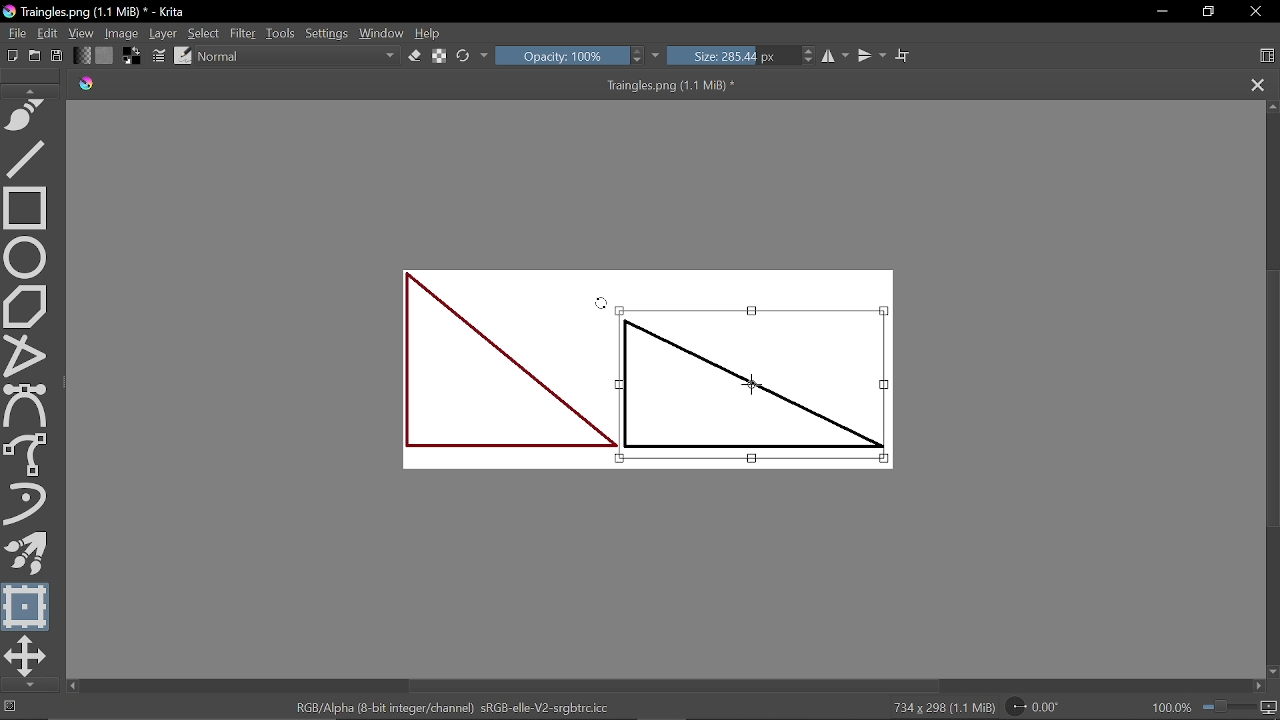  I want to click on Freehand path tool, so click(29, 117).